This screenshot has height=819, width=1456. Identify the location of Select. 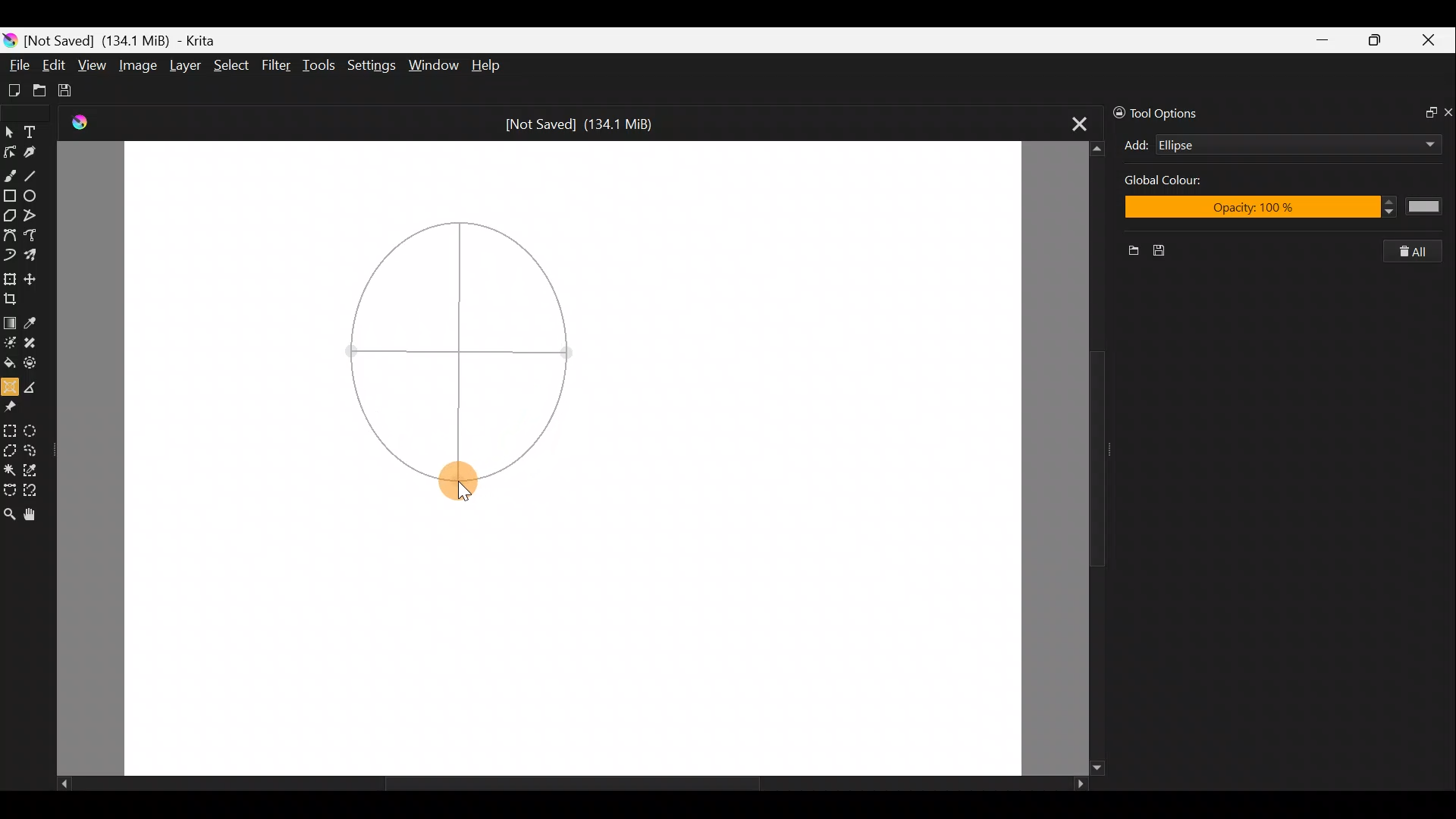
(231, 69).